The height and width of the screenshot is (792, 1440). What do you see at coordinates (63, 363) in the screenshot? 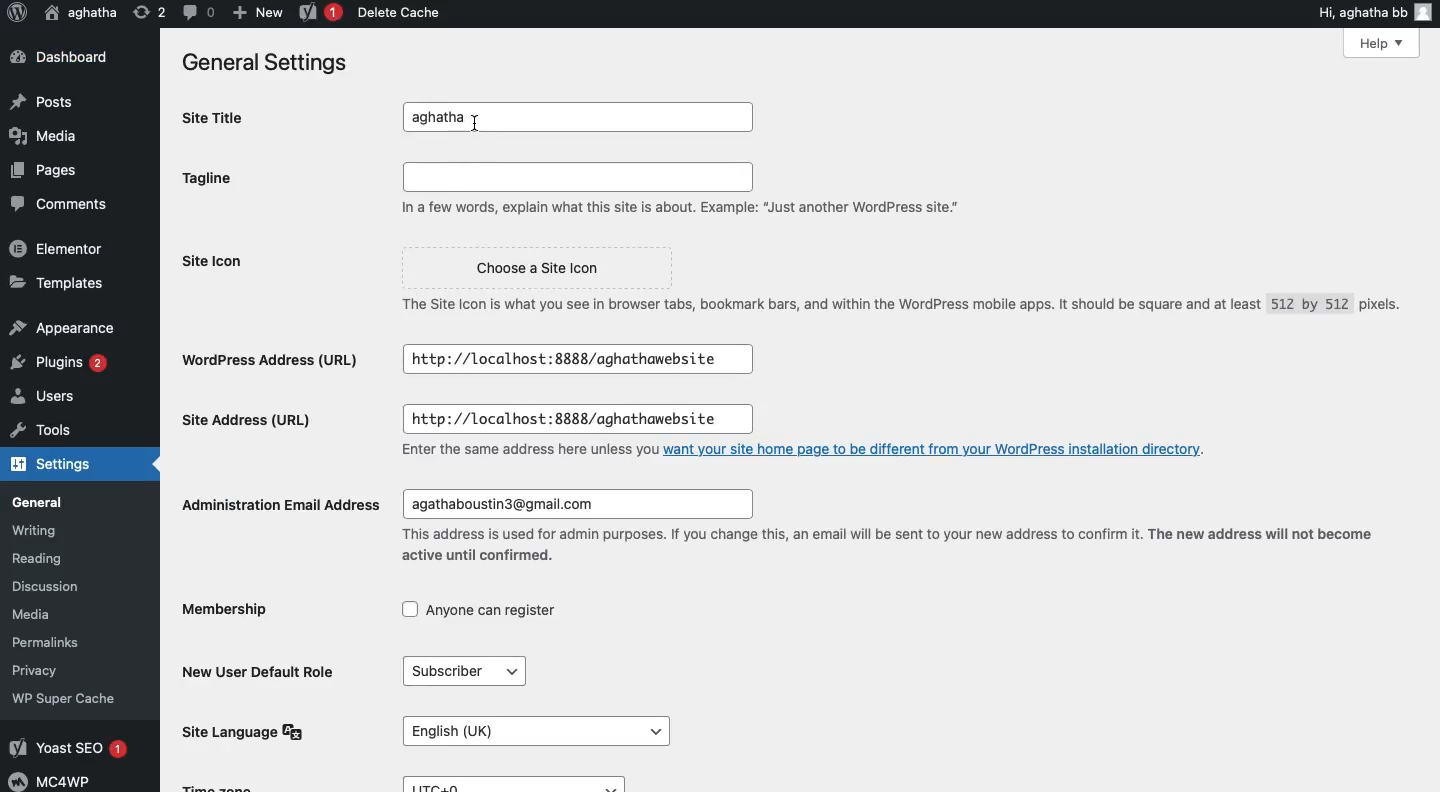
I see `Plugins` at bounding box center [63, 363].